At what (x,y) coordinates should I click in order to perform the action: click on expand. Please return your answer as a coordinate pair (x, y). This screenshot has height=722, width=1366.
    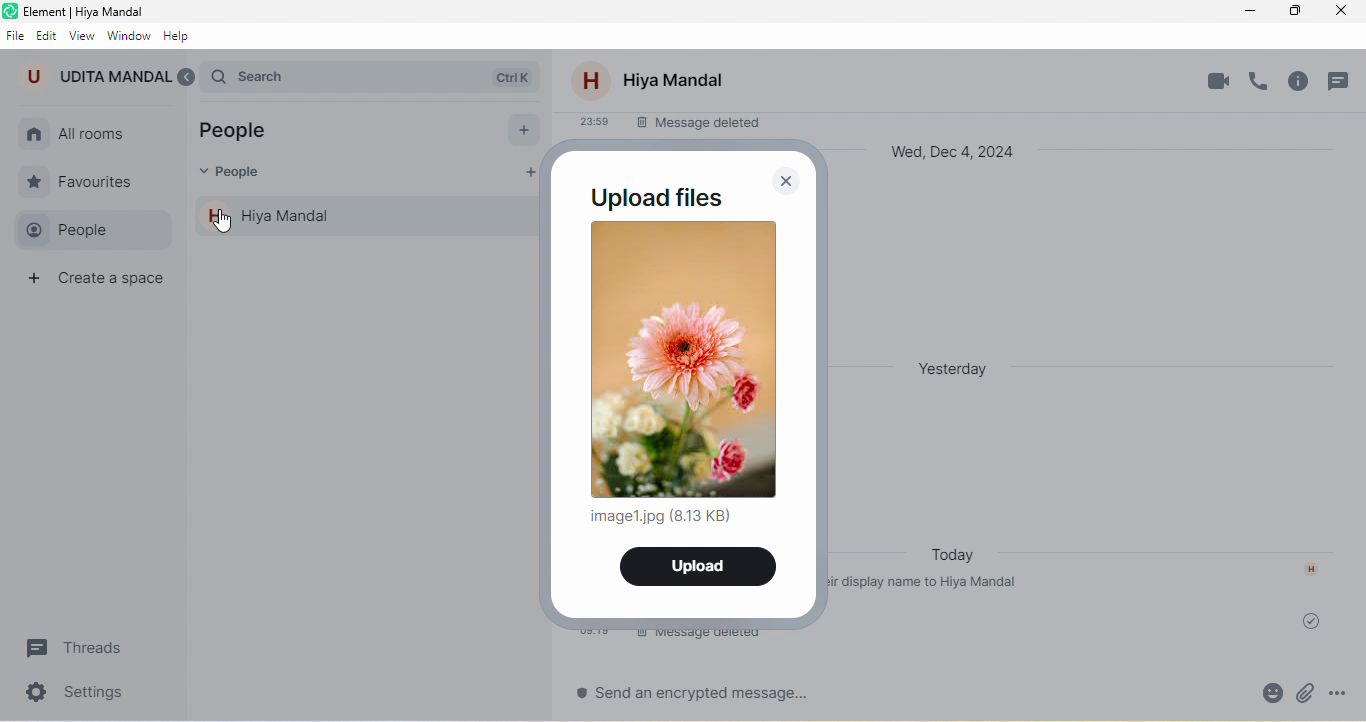
    Looking at the image, I should click on (190, 79).